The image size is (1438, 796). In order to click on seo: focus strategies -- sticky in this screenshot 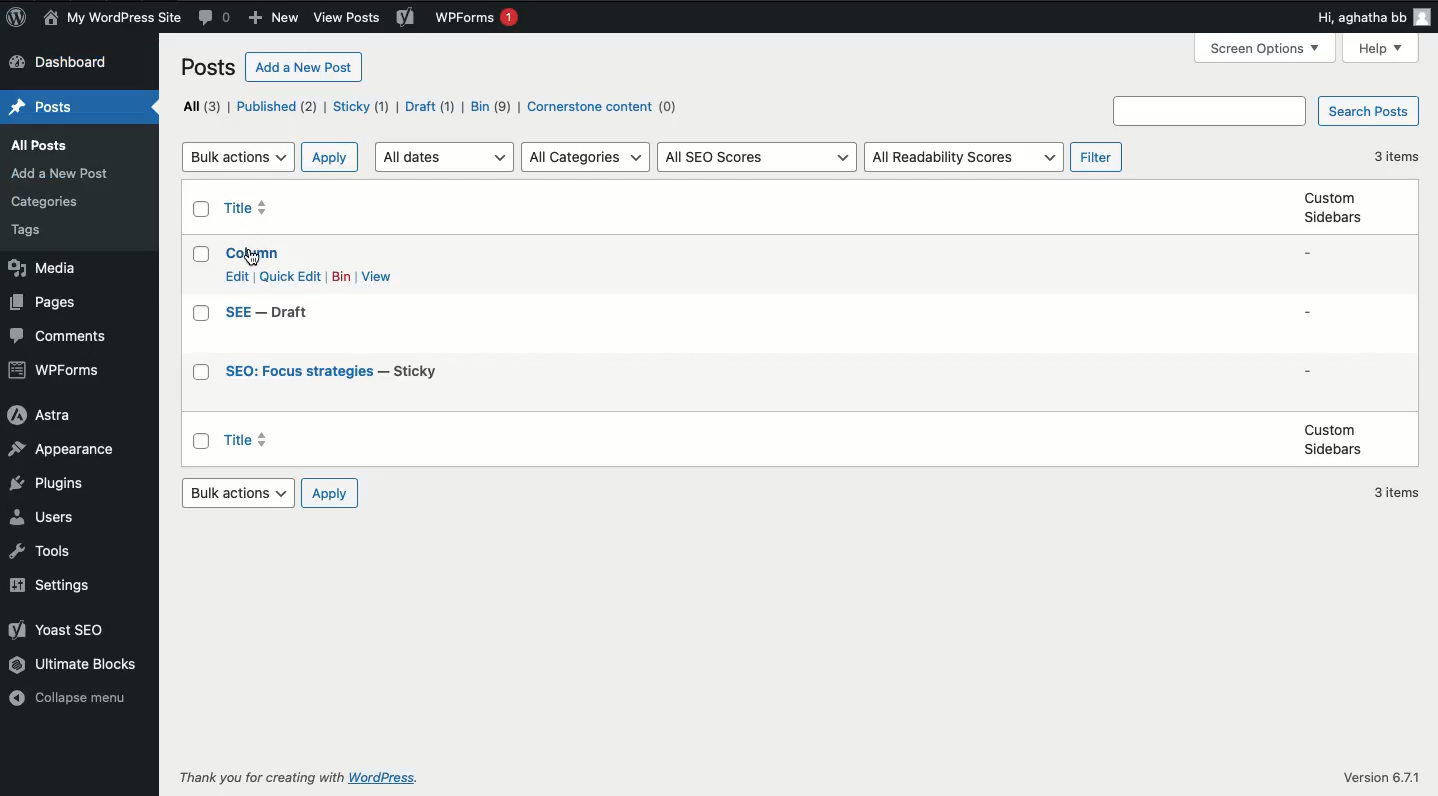, I will do `click(334, 372)`.